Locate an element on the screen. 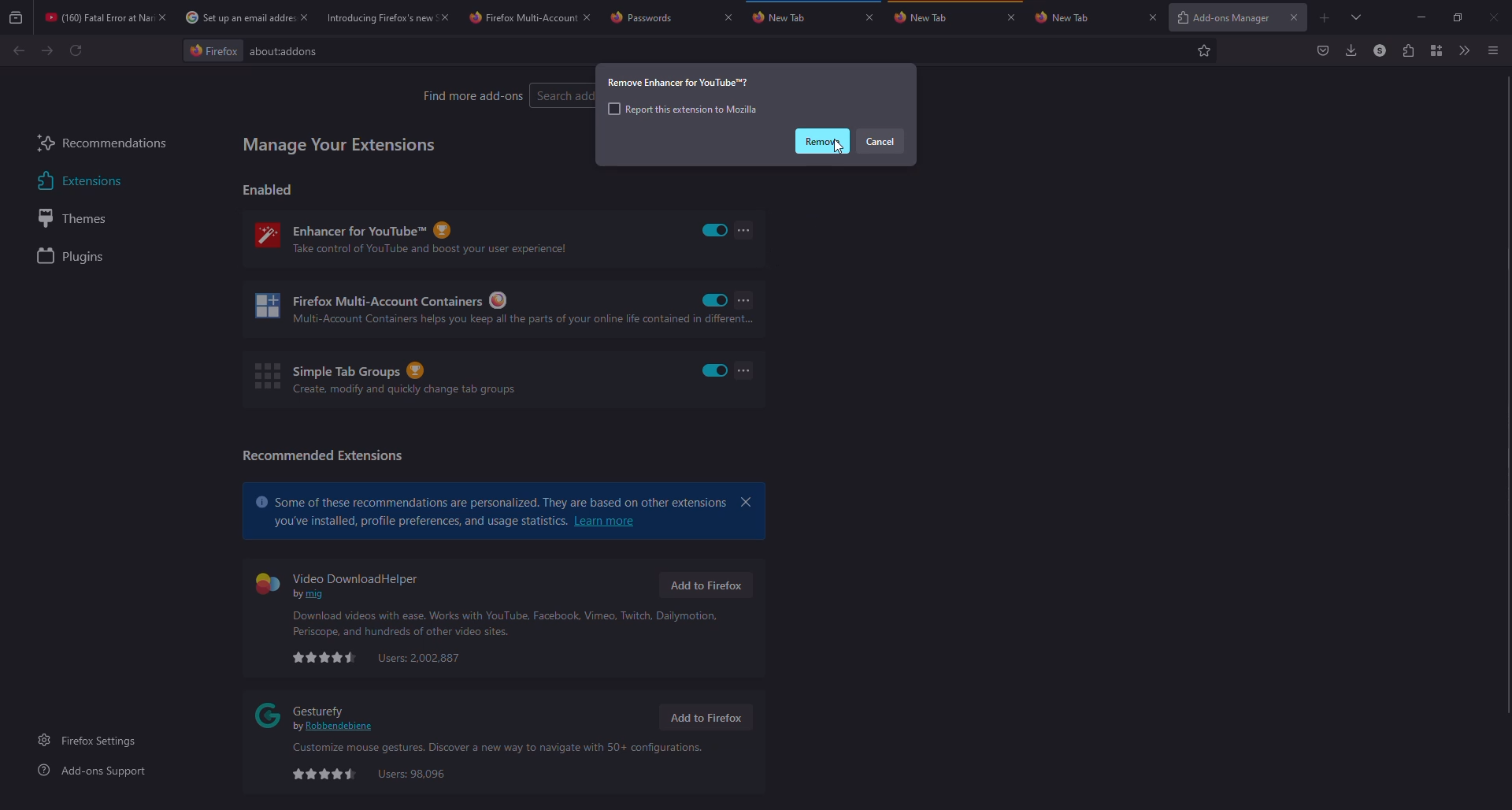  remove ehancer is located at coordinates (680, 82).